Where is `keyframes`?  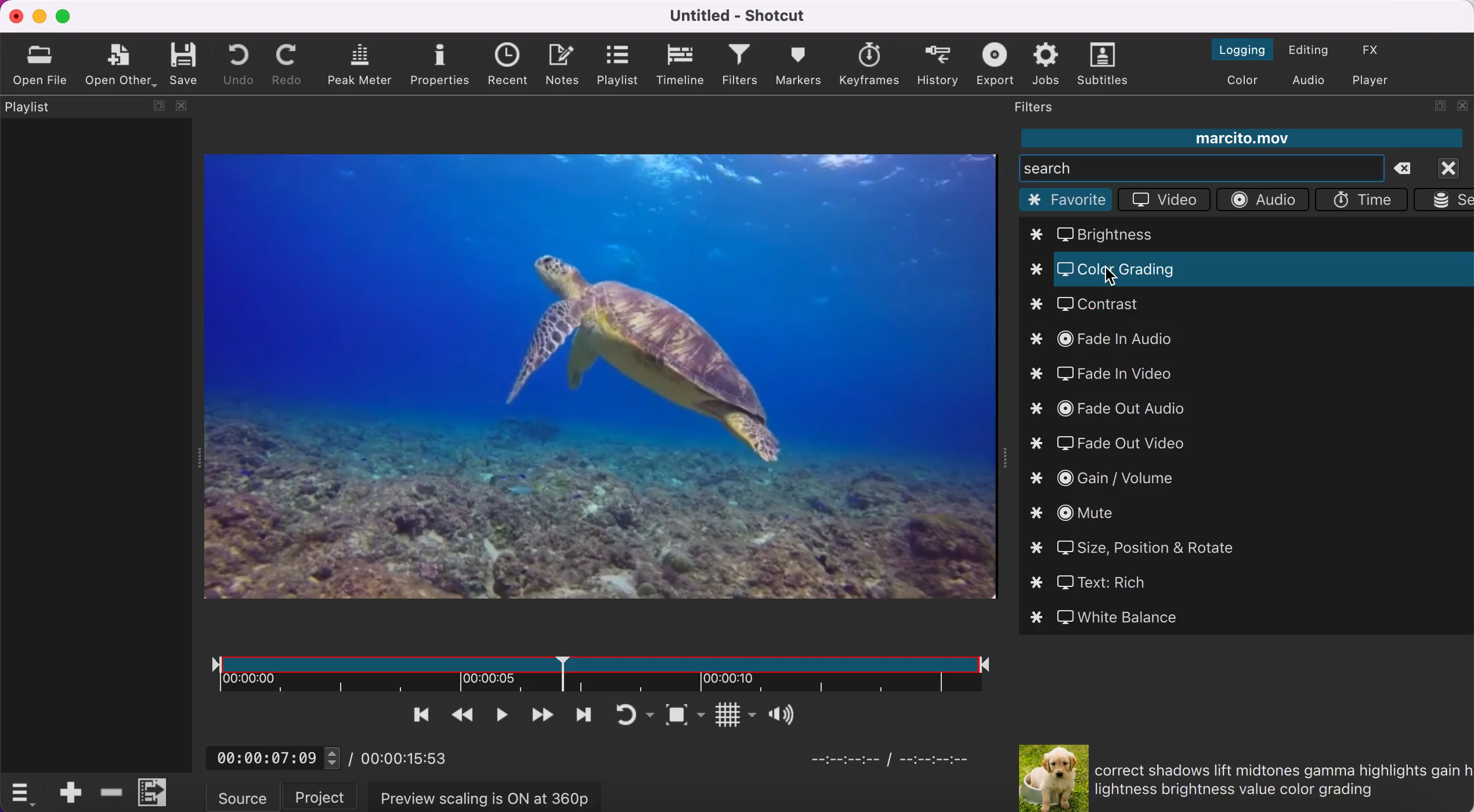 keyframes is located at coordinates (868, 61).